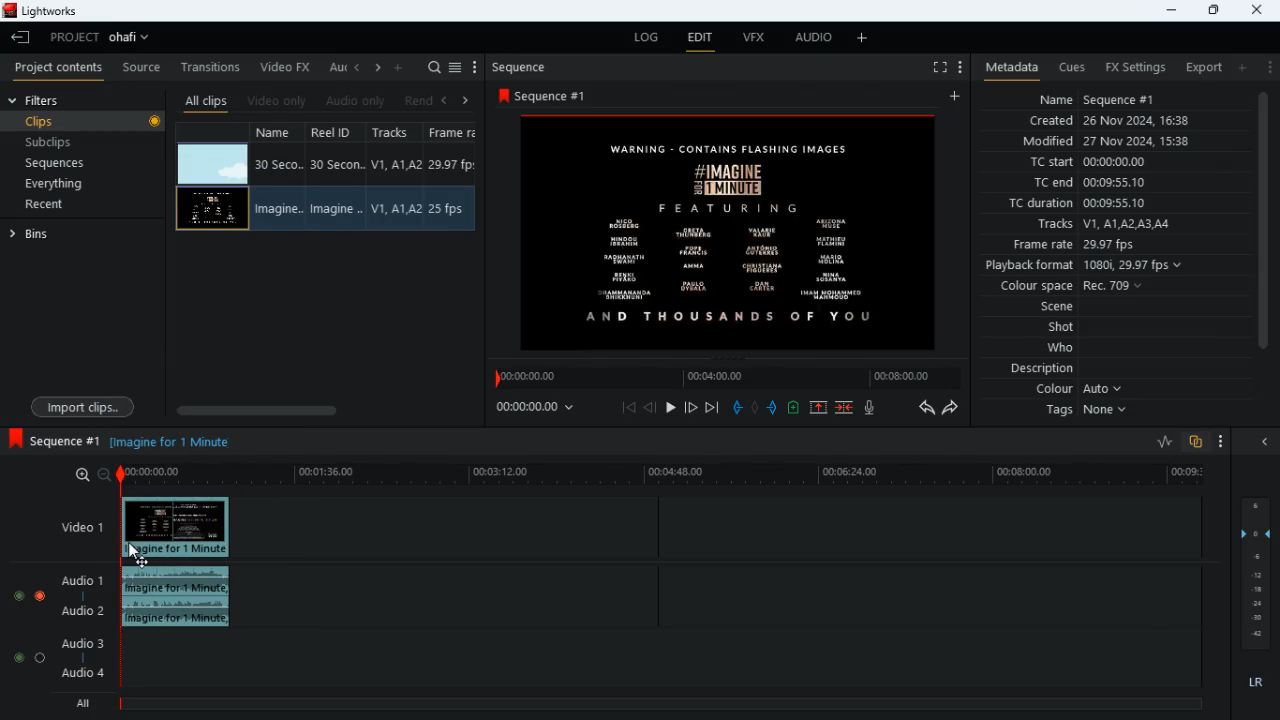  What do you see at coordinates (31, 596) in the screenshot?
I see `audio selection buttons` at bounding box center [31, 596].